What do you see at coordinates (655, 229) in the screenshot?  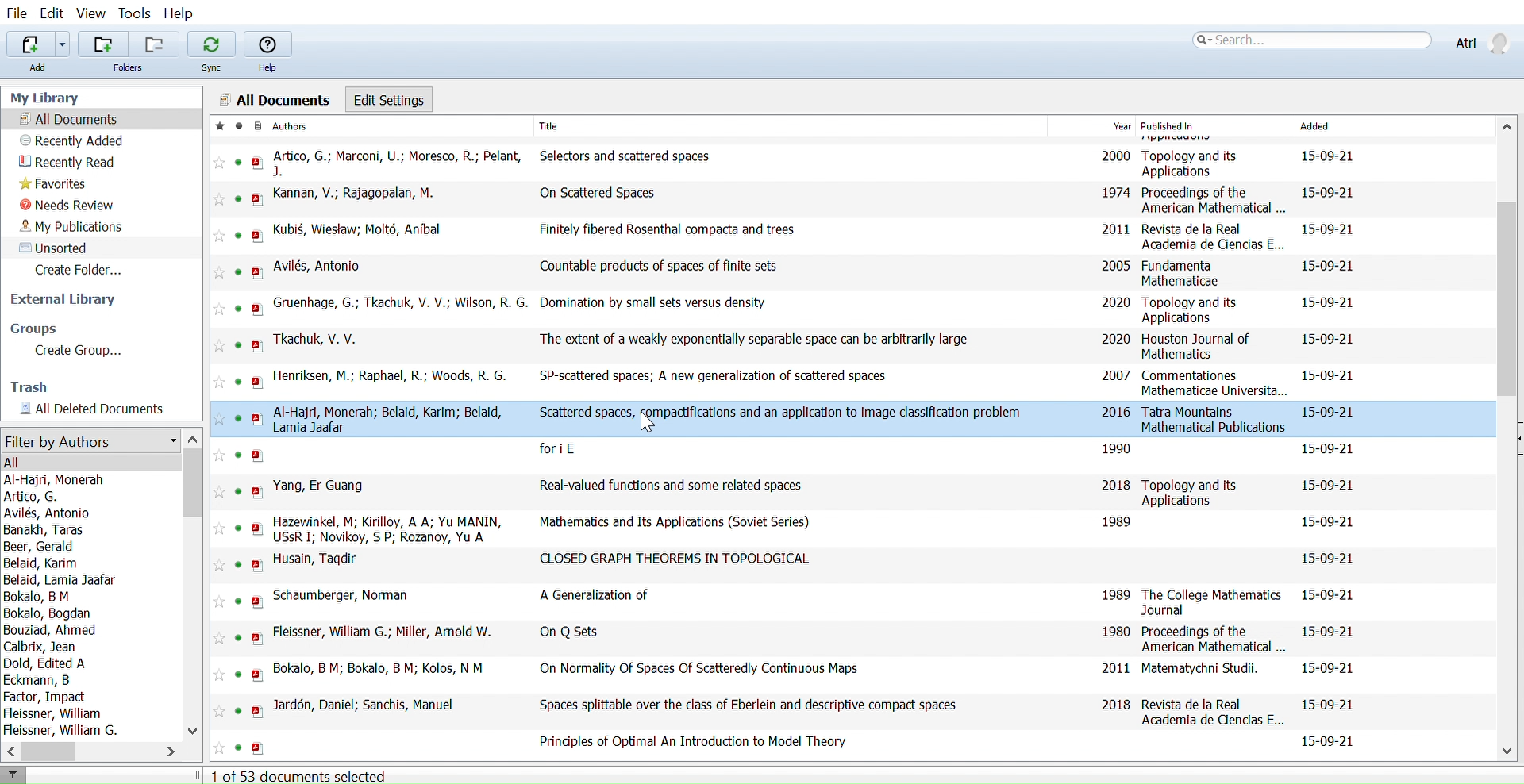 I see `Finitely fibered Rosenthal compacta and trees` at bounding box center [655, 229].